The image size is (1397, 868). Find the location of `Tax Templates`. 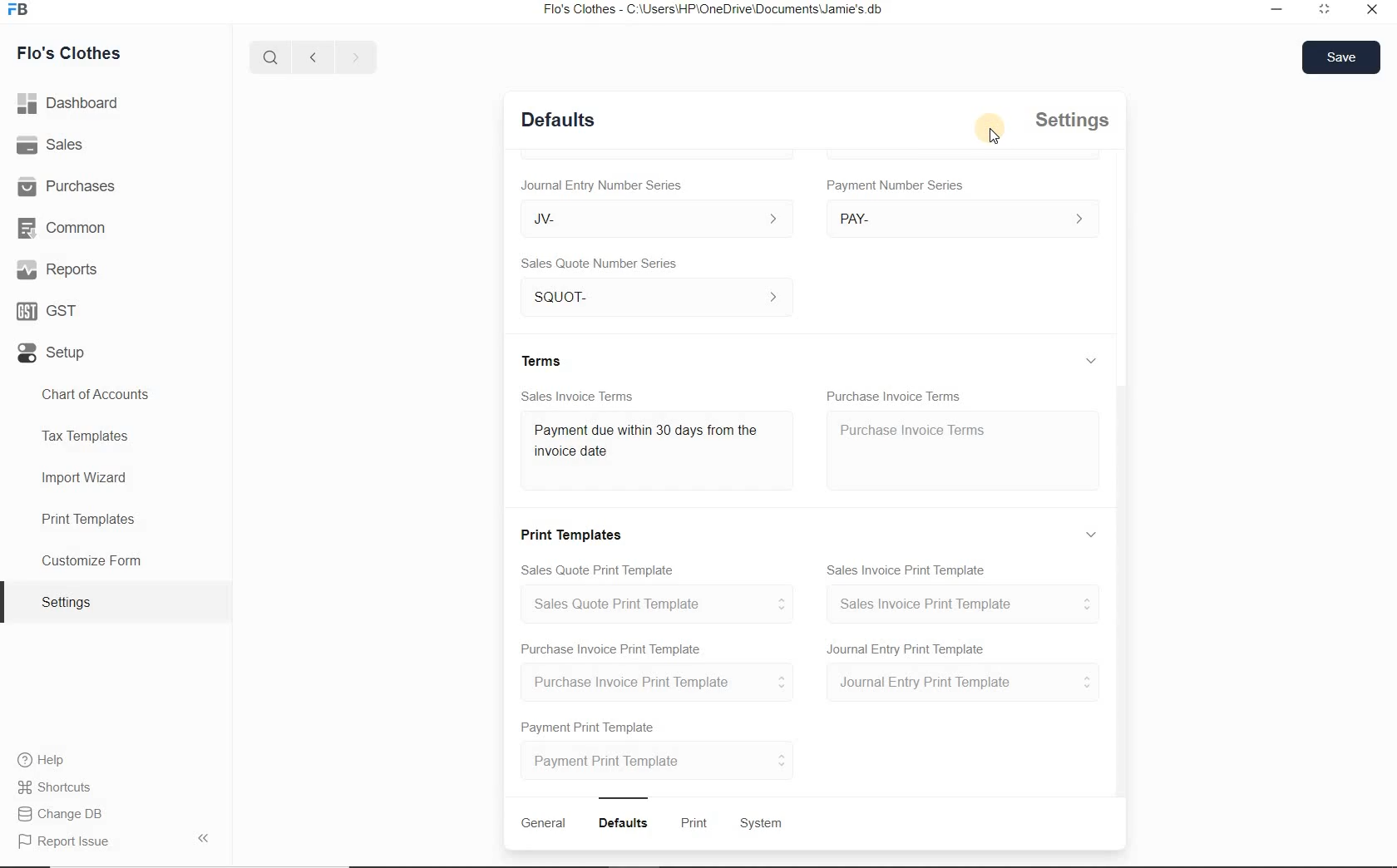

Tax Templates is located at coordinates (115, 439).